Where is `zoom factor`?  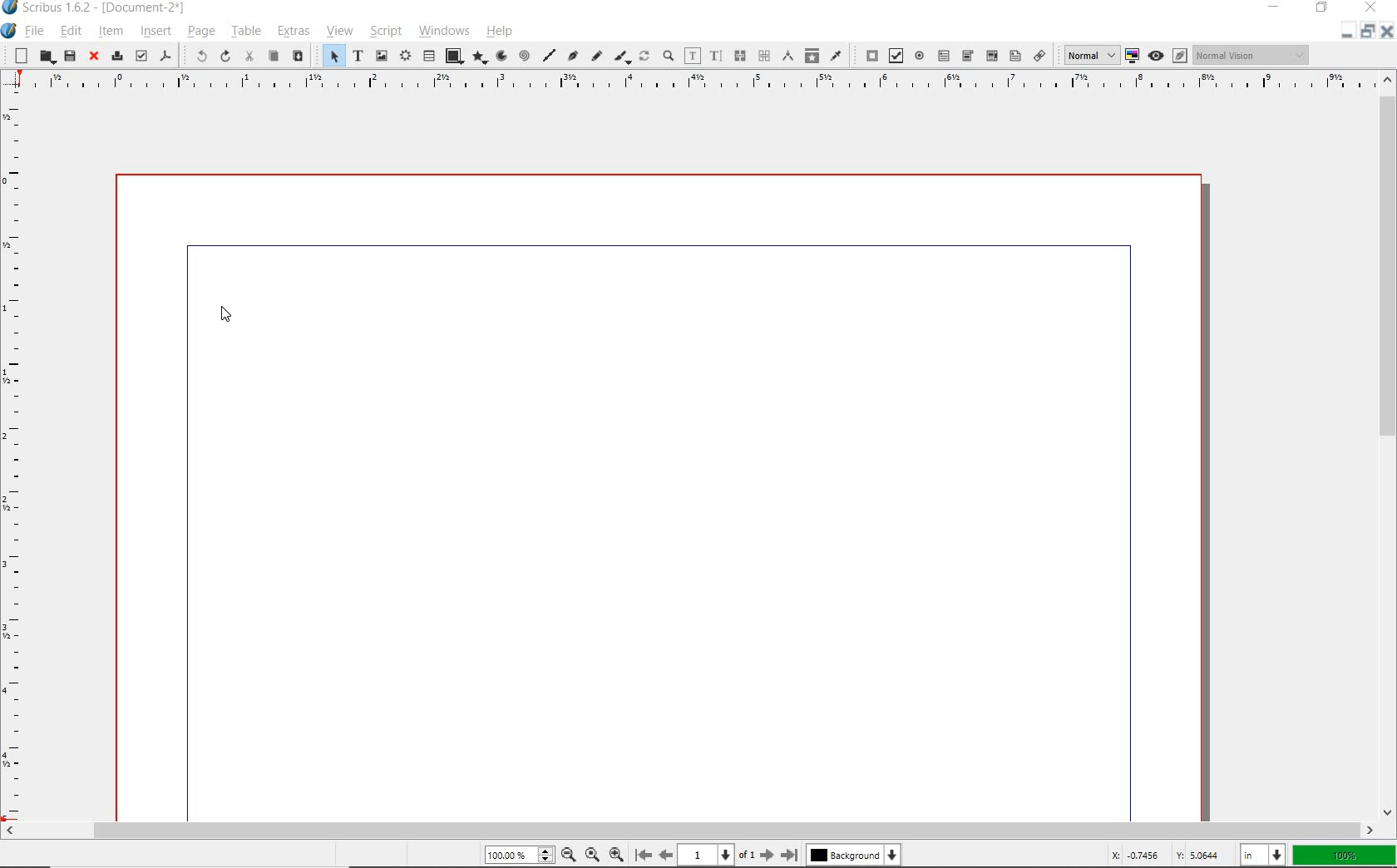 zoom factor is located at coordinates (1344, 856).